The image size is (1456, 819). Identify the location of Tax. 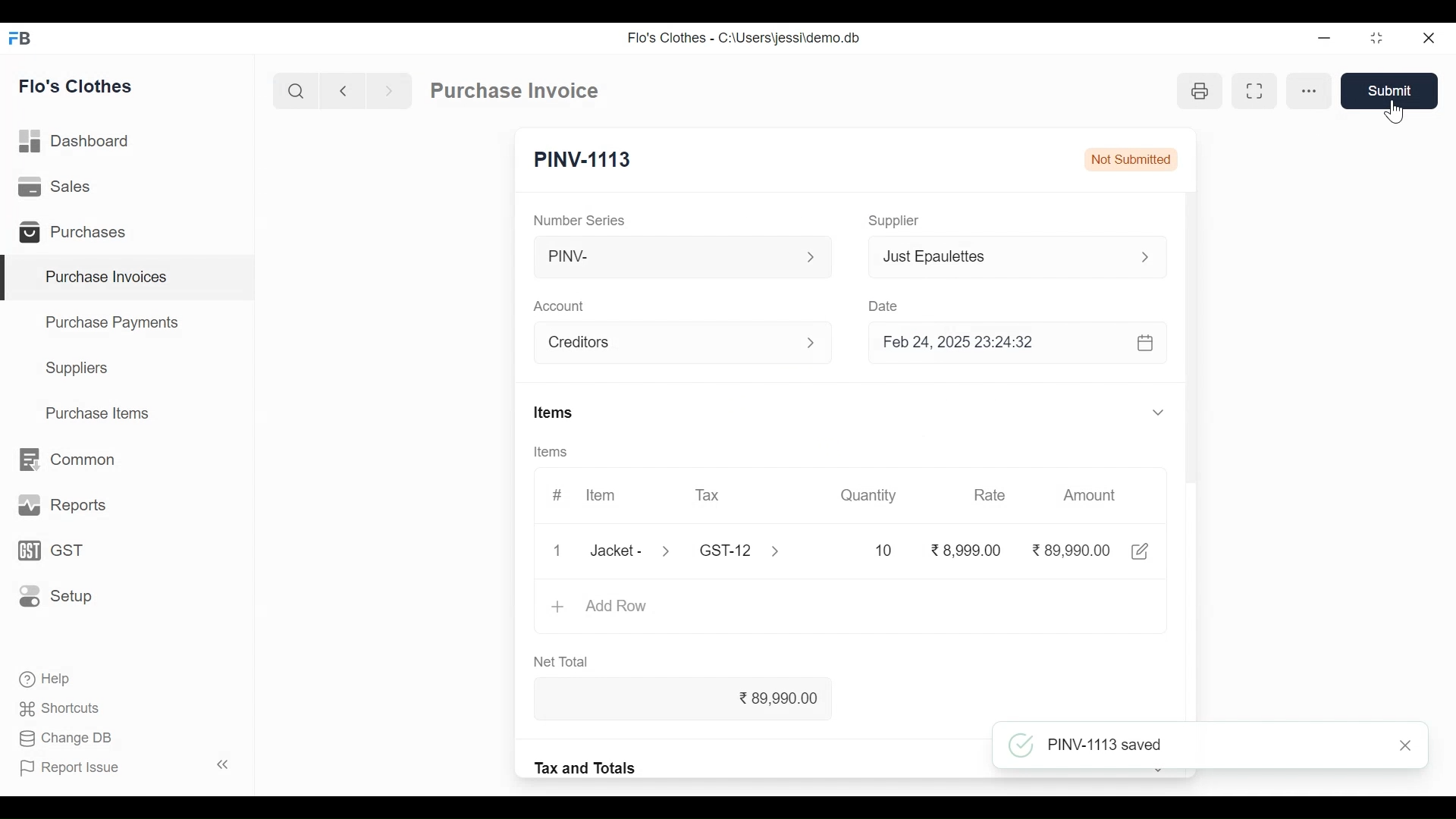
(712, 496).